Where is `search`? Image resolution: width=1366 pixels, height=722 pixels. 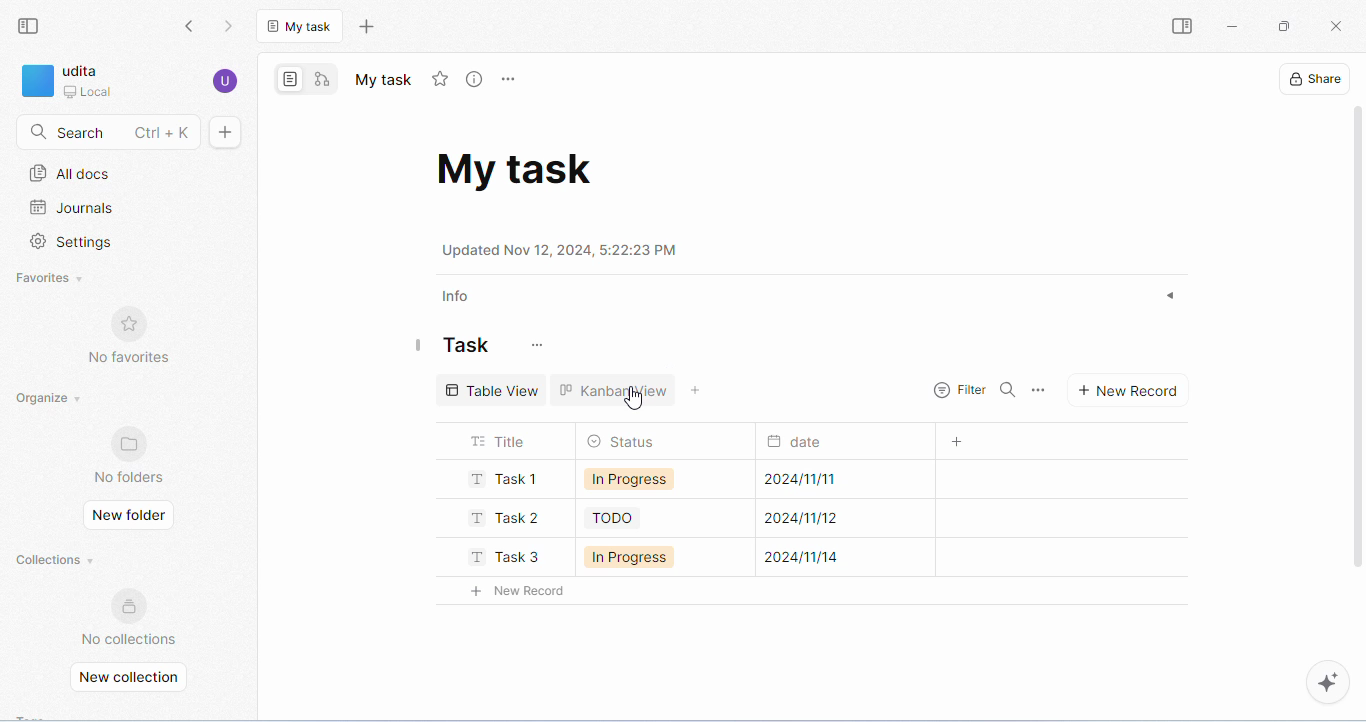
search is located at coordinates (1009, 391).